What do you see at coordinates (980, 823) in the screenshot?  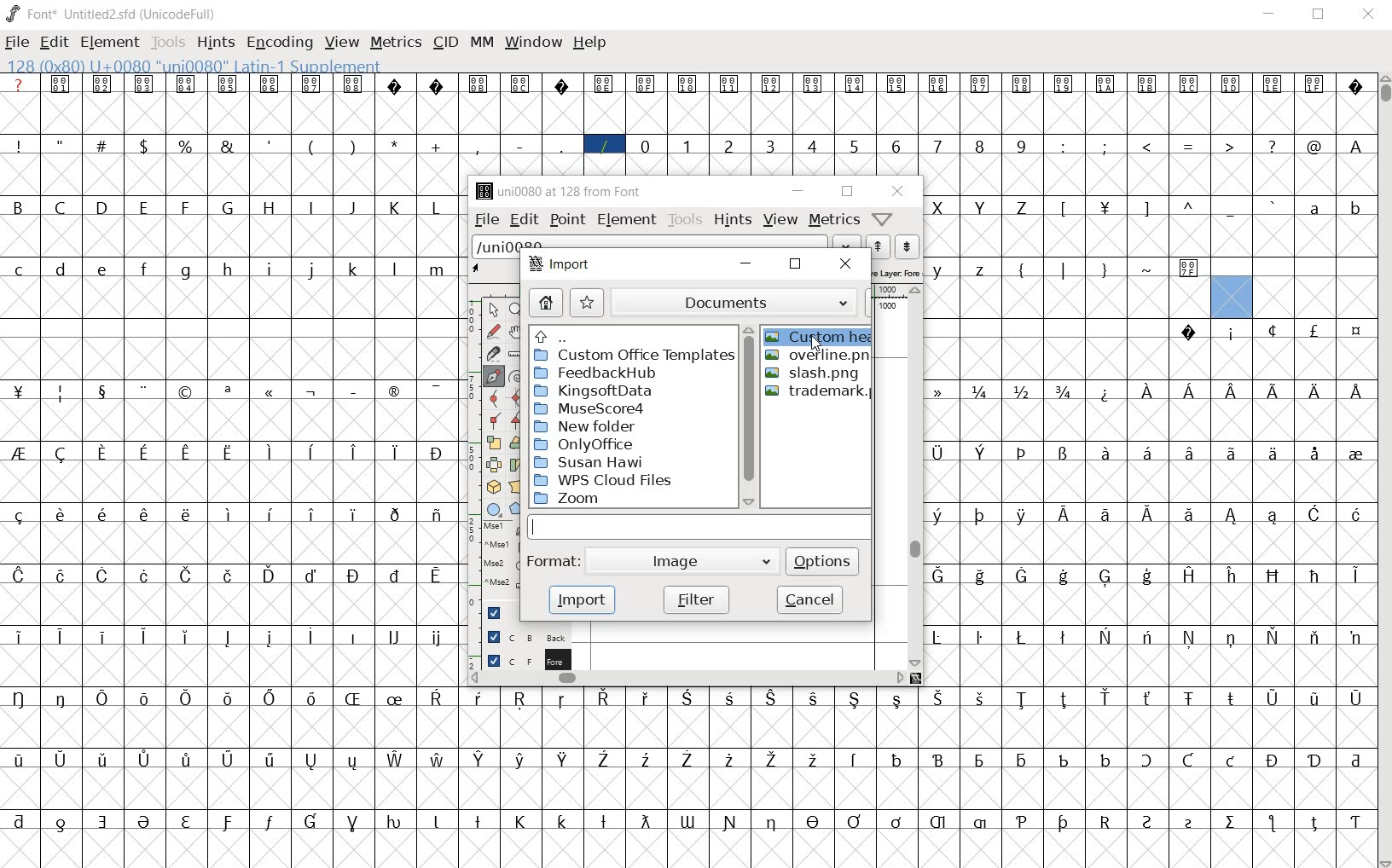 I see `glyph` at bounding box center [980, 823].